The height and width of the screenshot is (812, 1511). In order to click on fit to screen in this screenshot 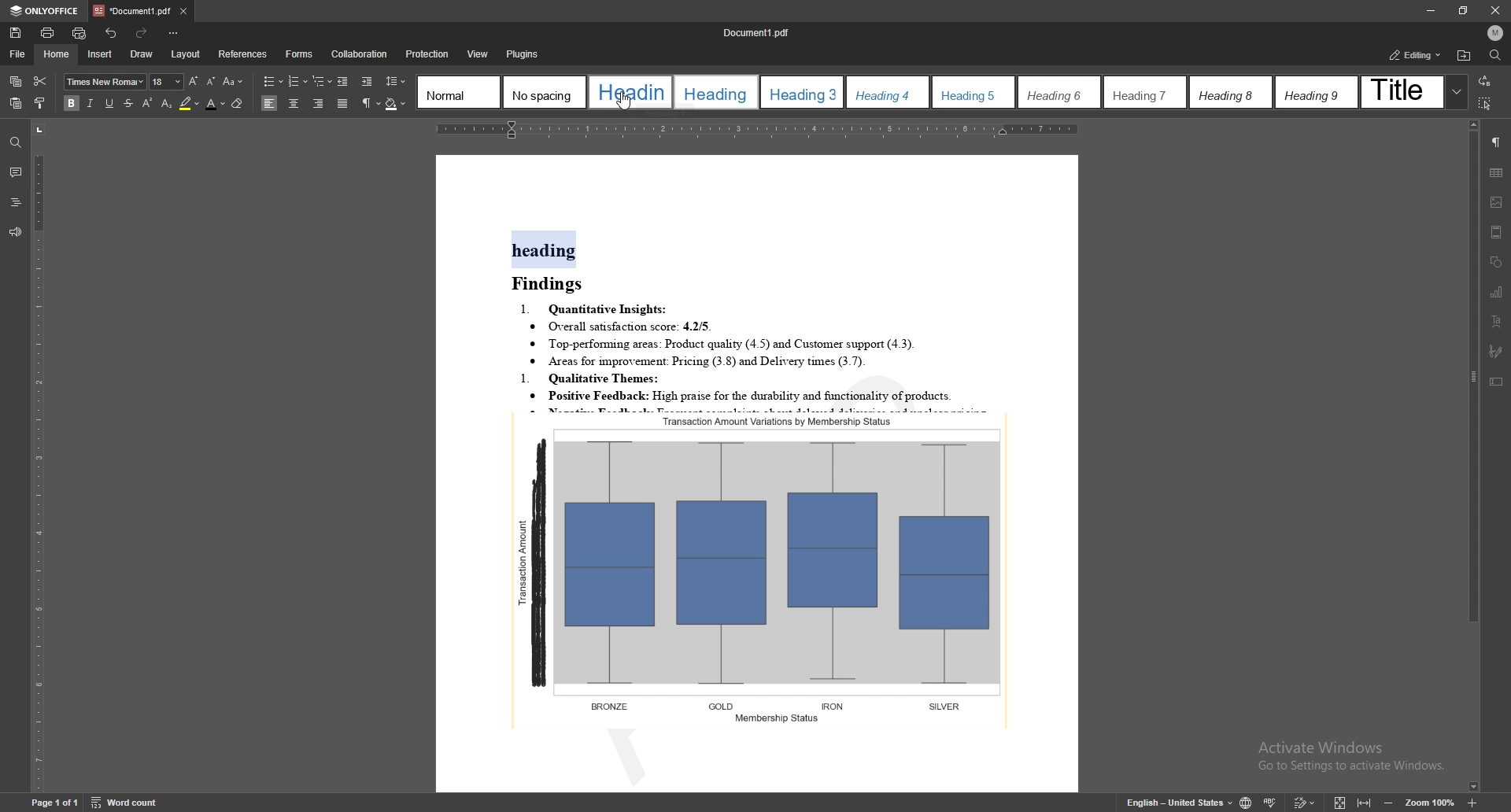, I will do `click(1339, 801)`.